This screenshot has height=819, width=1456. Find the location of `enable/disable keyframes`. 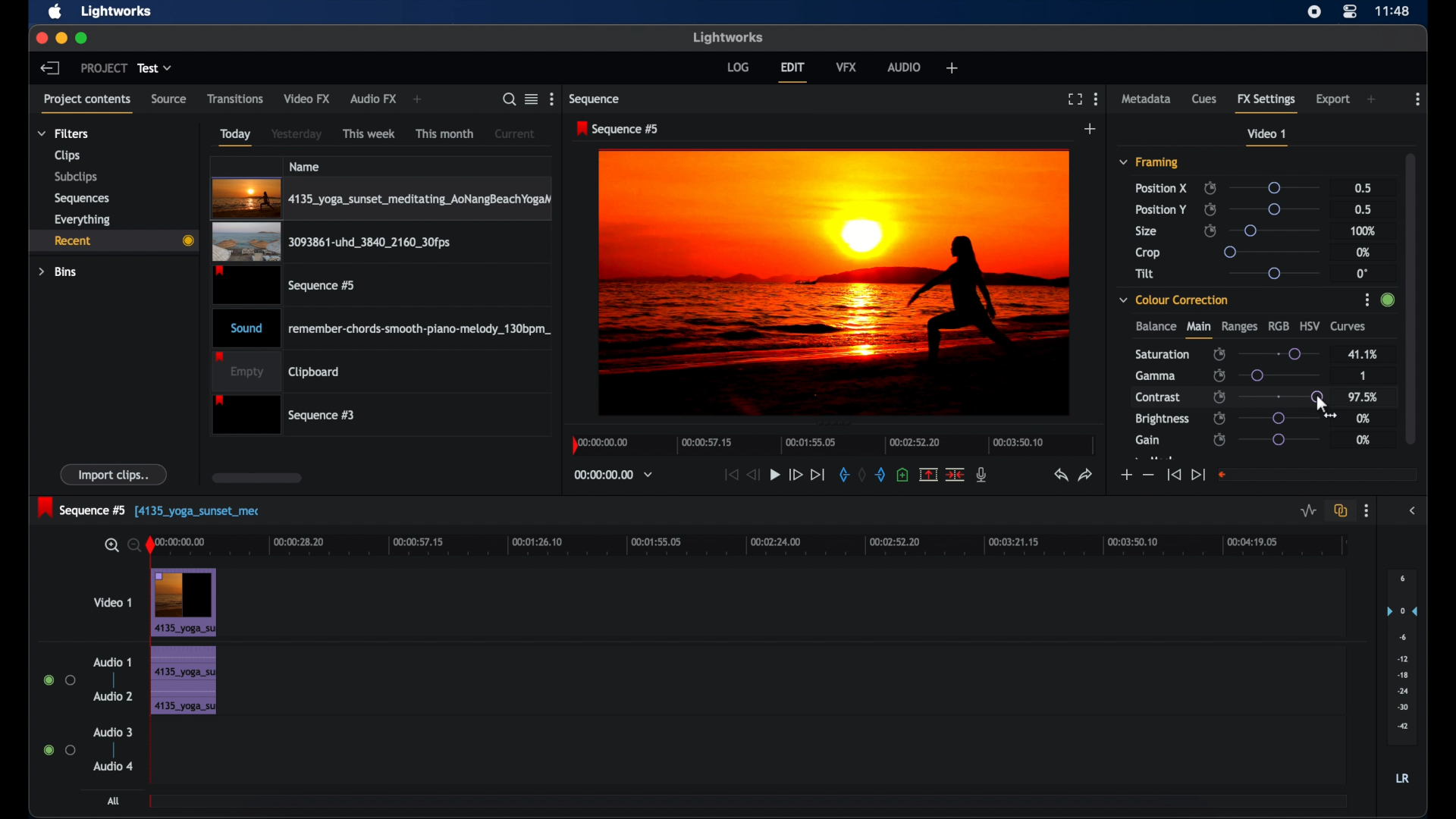

enable/disable keyframes is located at coordinates (1210, 231).